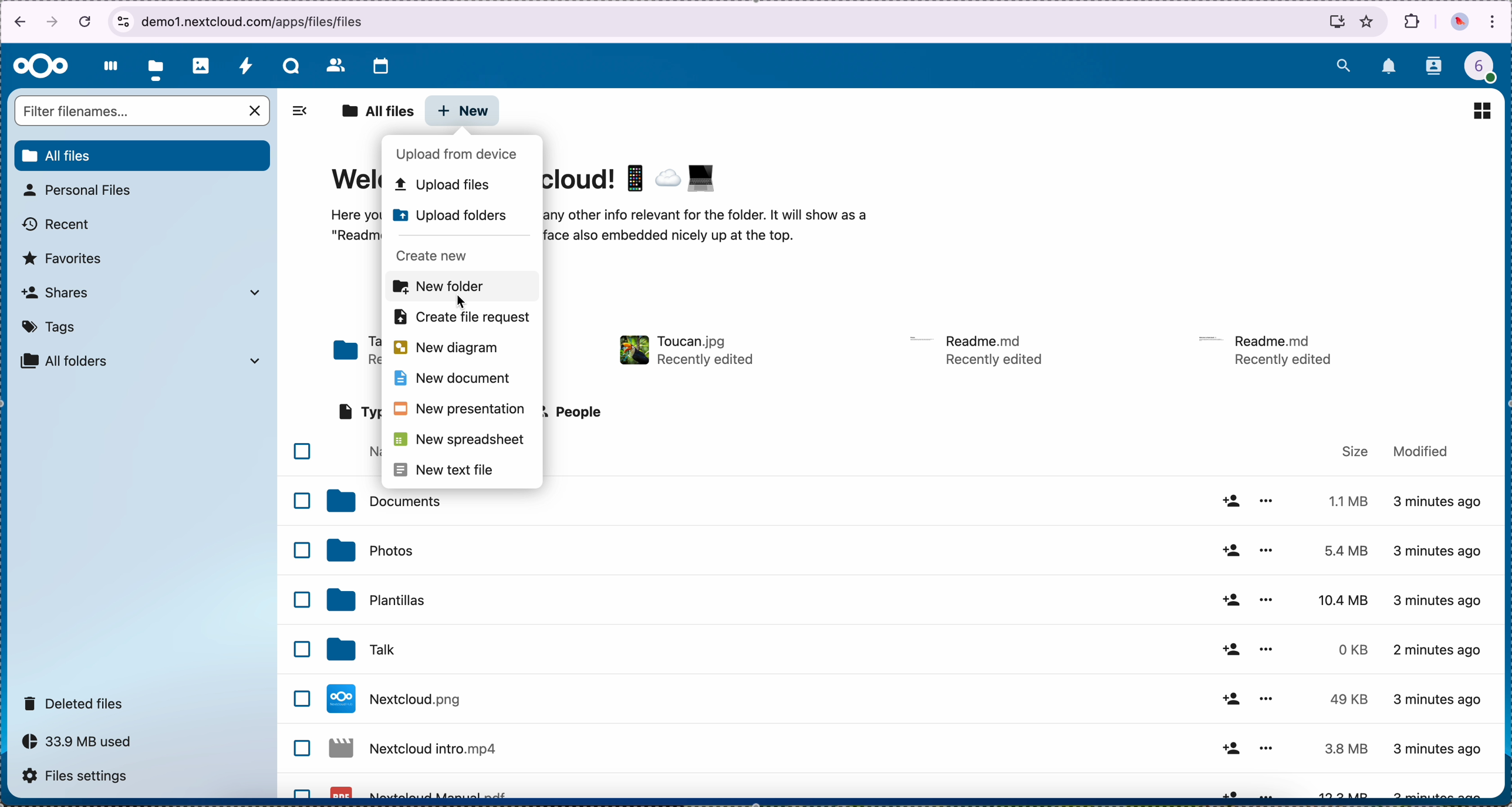 This screenshot has height=807, width=1512. I want to click on search bar, so click(144, 112).